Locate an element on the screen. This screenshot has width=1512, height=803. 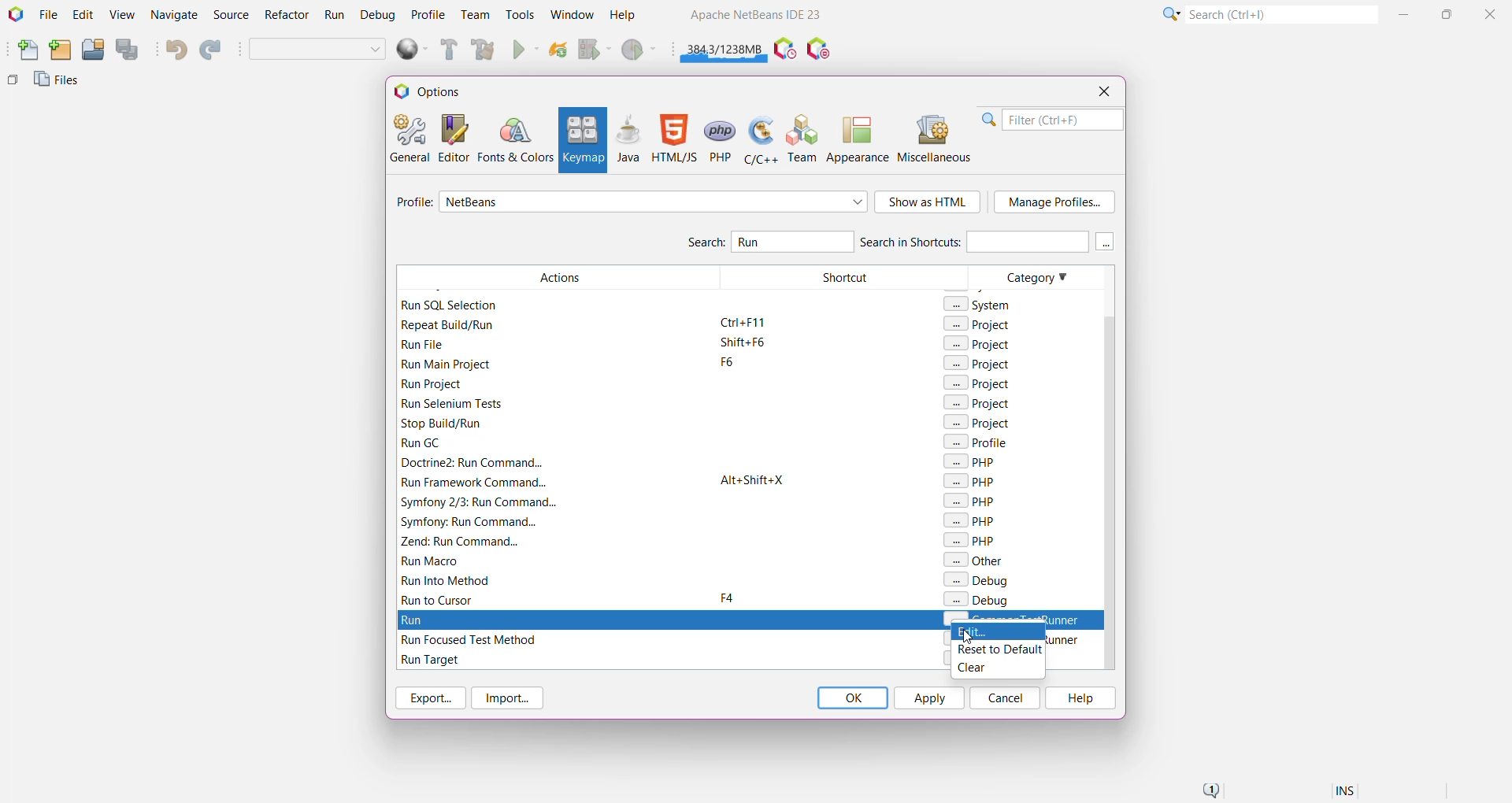
Keymap is located at coordinates (581, 140).